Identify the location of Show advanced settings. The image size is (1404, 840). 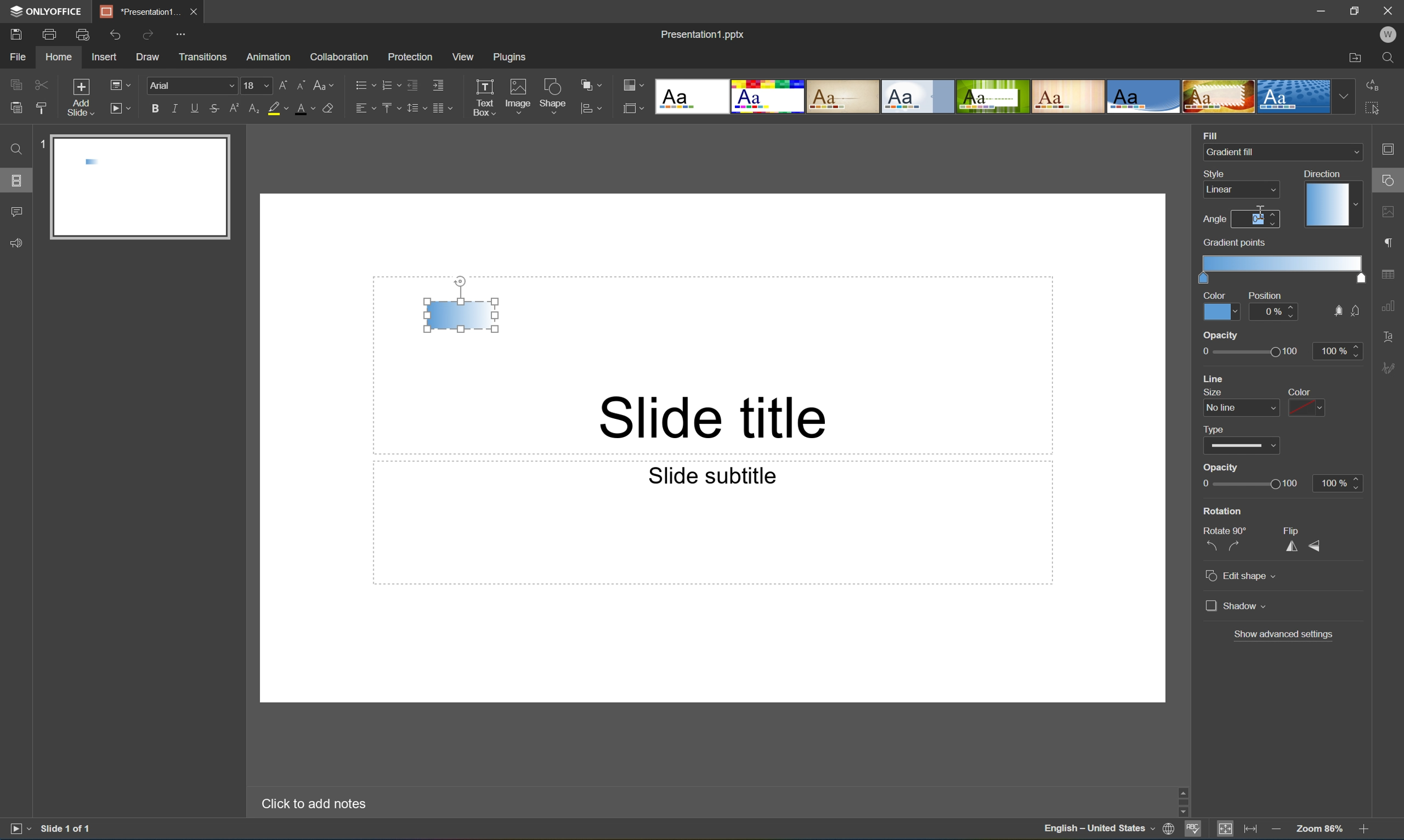
(1285, 633).